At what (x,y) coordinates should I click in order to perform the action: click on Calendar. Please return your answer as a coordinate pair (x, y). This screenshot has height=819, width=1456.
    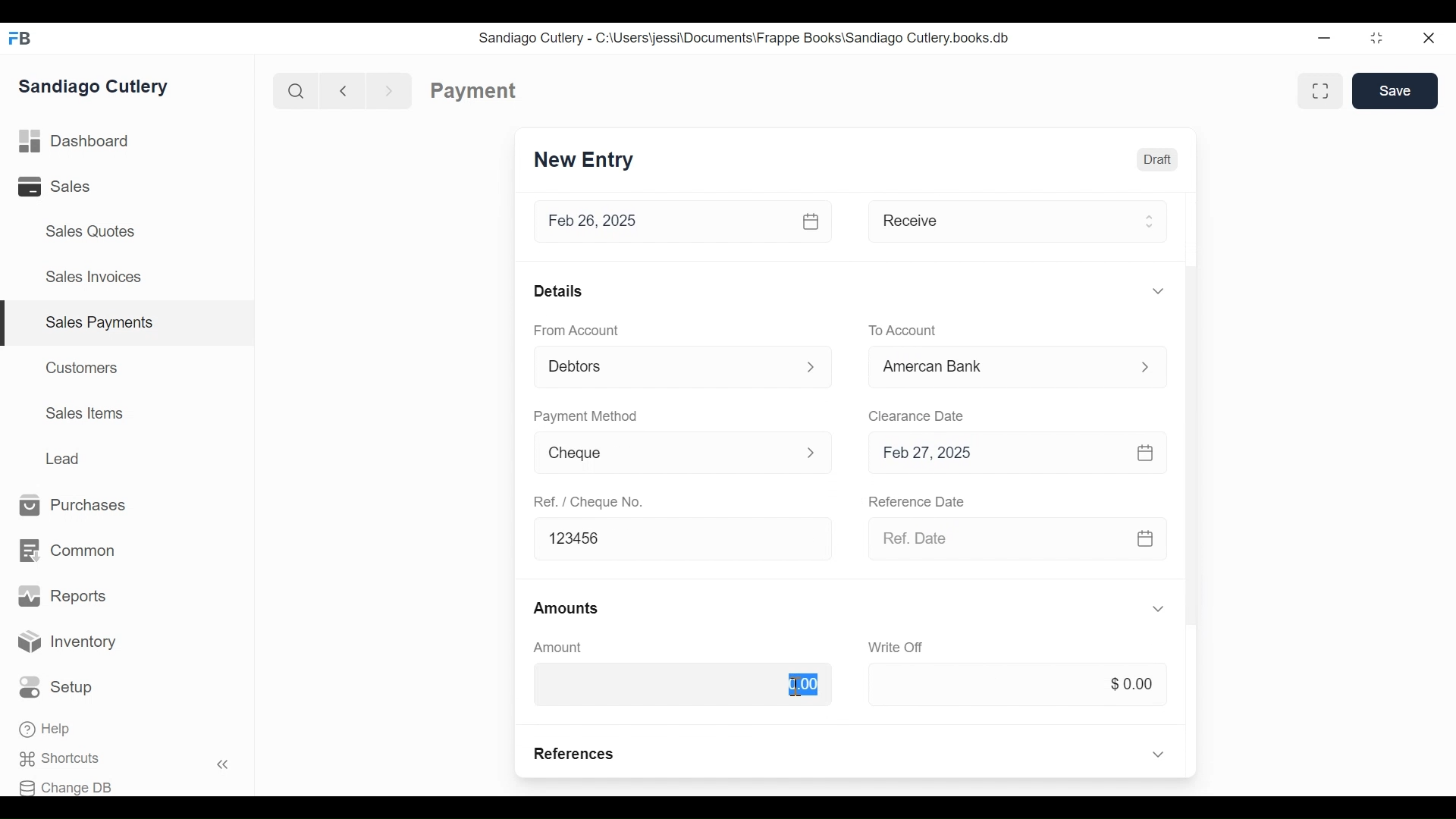
    Looking at the image, I should click on (1145, 539).